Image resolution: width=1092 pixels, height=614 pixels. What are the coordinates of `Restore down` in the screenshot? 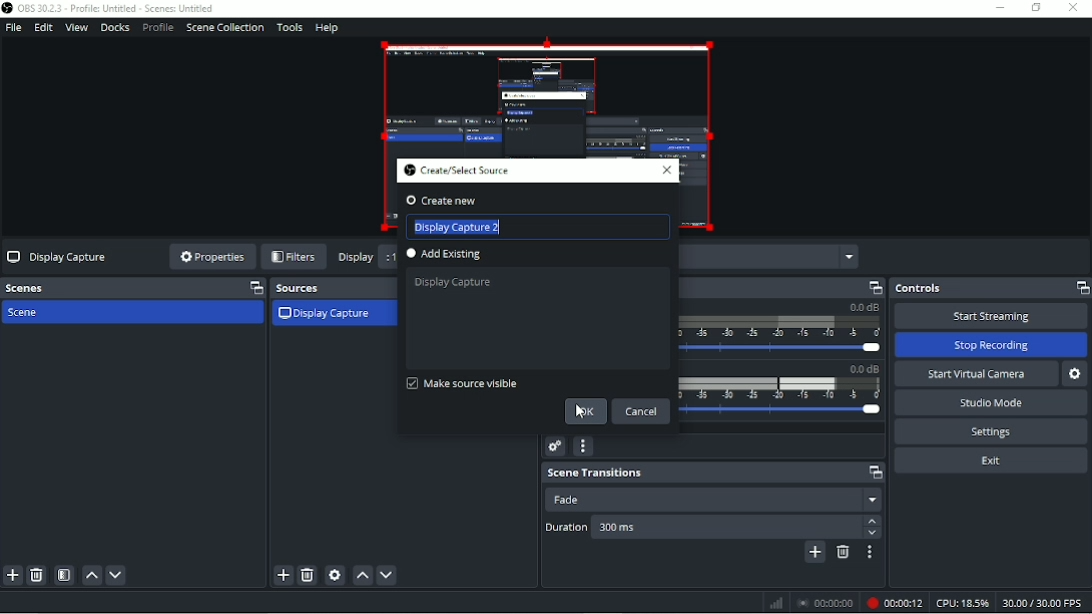 It's located at (1036, 8).